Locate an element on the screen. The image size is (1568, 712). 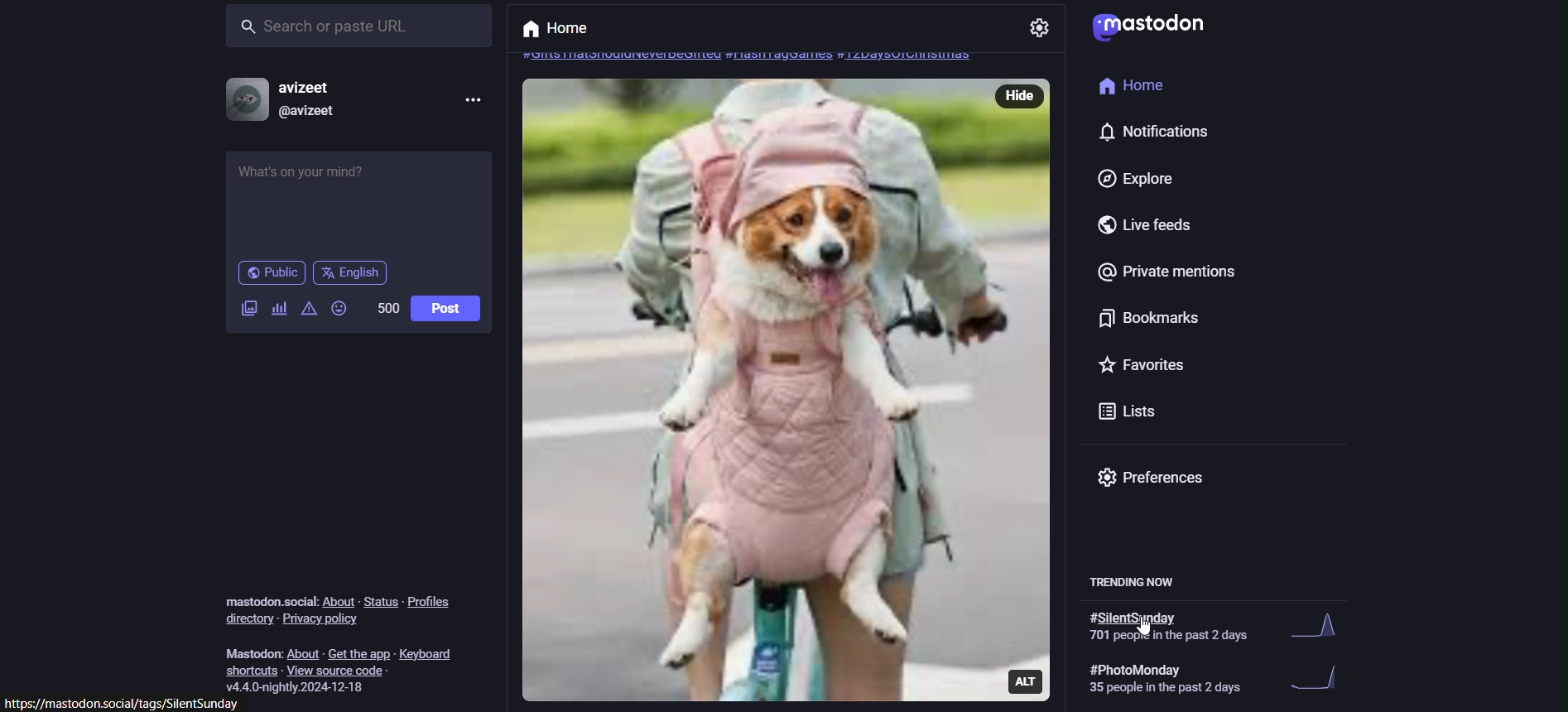
@avizeet is located at coordinates (306, 112).